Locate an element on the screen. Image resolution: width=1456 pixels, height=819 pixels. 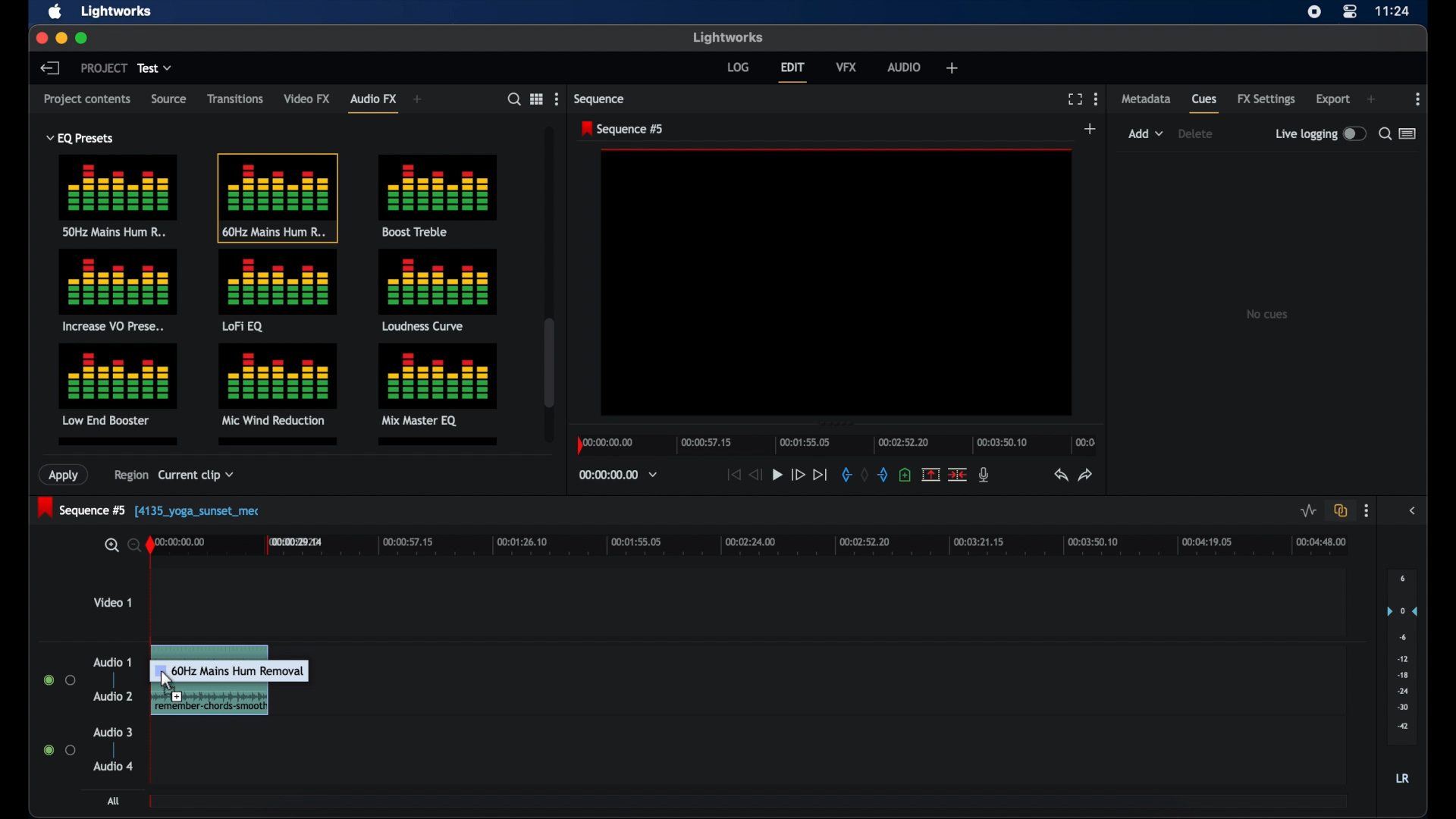
toggle list  or logger view is located at coordinates (1407, 133).